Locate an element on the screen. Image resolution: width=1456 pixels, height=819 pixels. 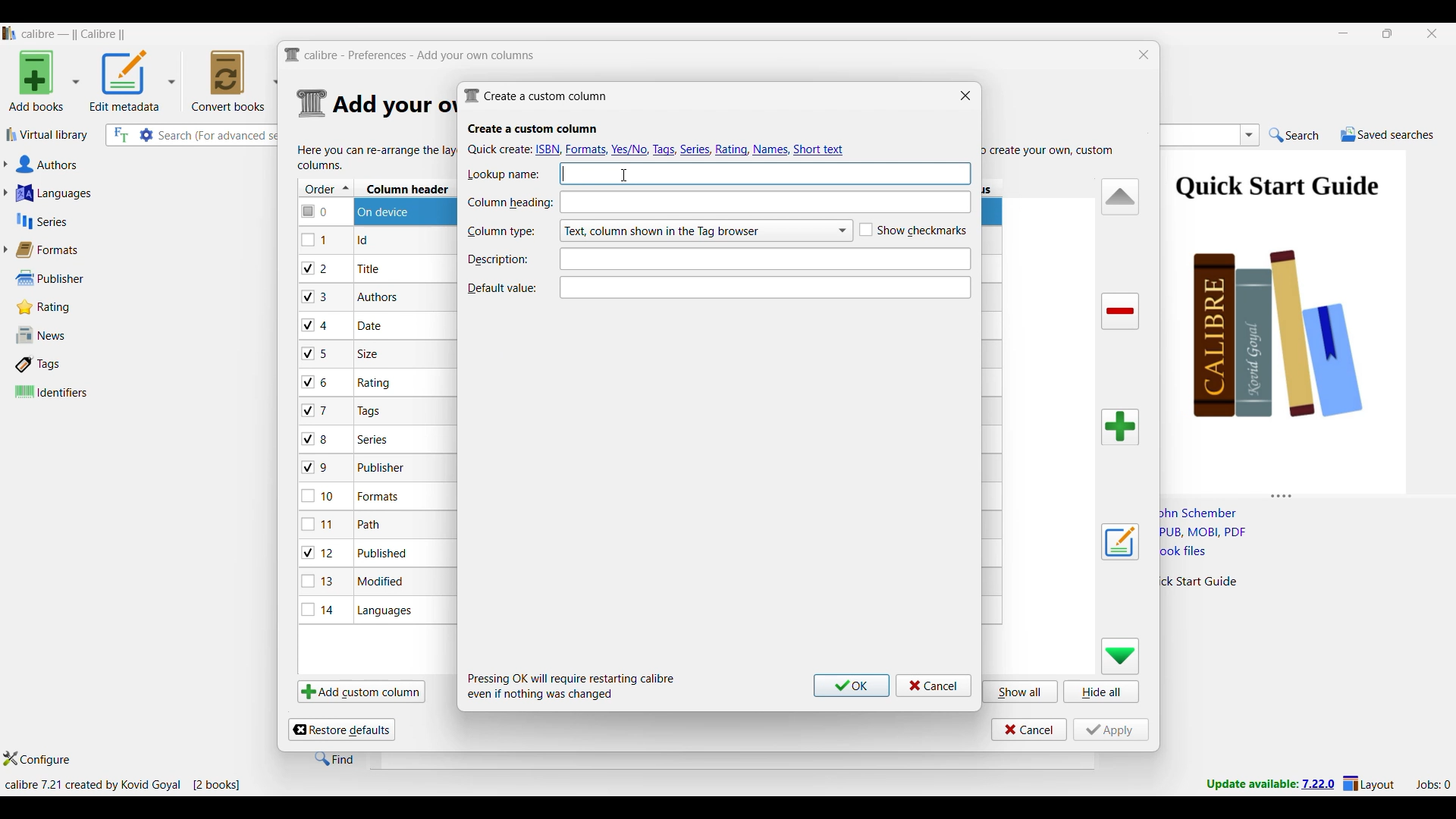
checkbox - 10 is located at coordinates (321, 497).